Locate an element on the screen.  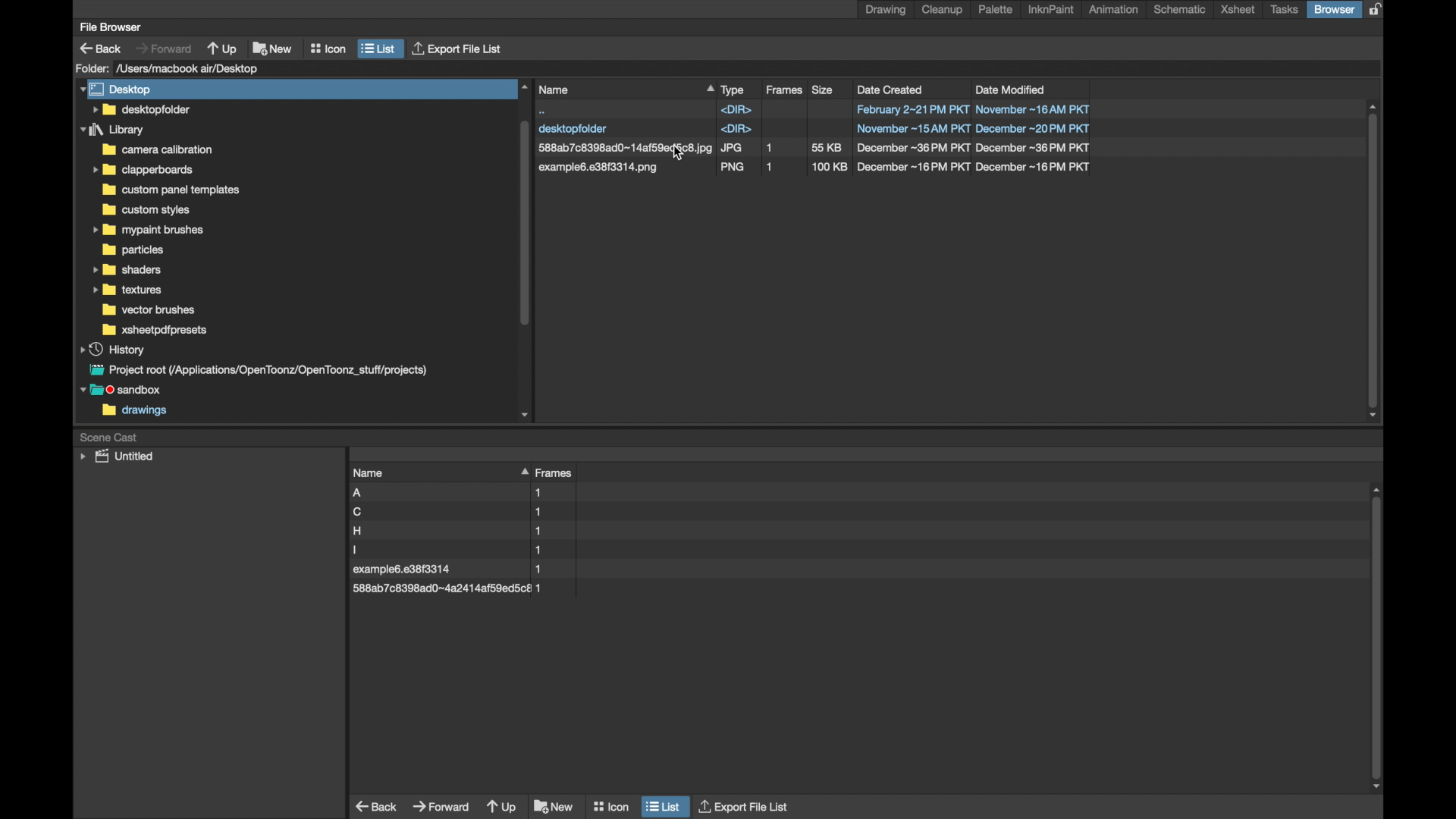
file is located at coordinates (447, 531).